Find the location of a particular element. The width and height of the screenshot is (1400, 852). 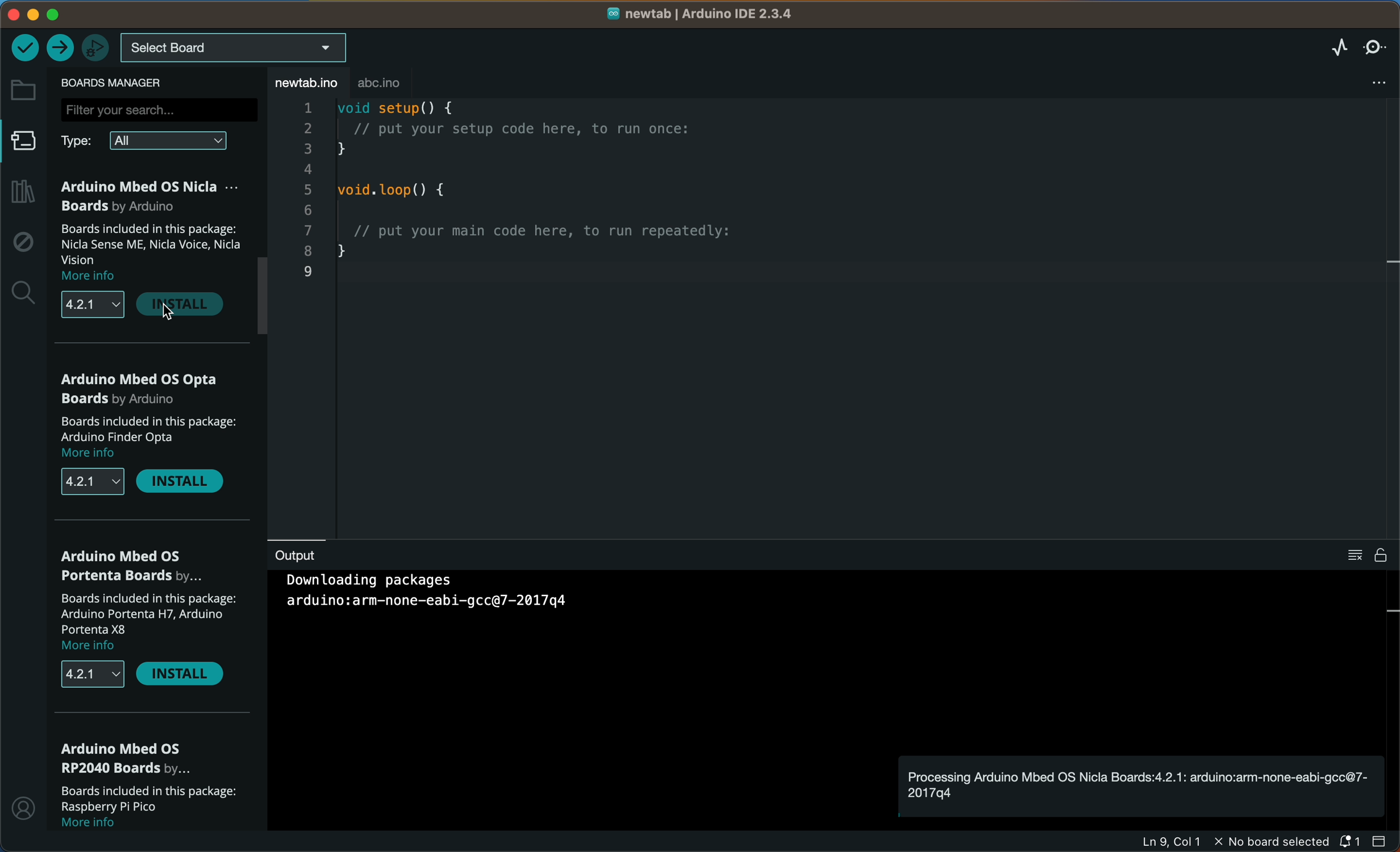

more info is located at coordinates (99, 455).